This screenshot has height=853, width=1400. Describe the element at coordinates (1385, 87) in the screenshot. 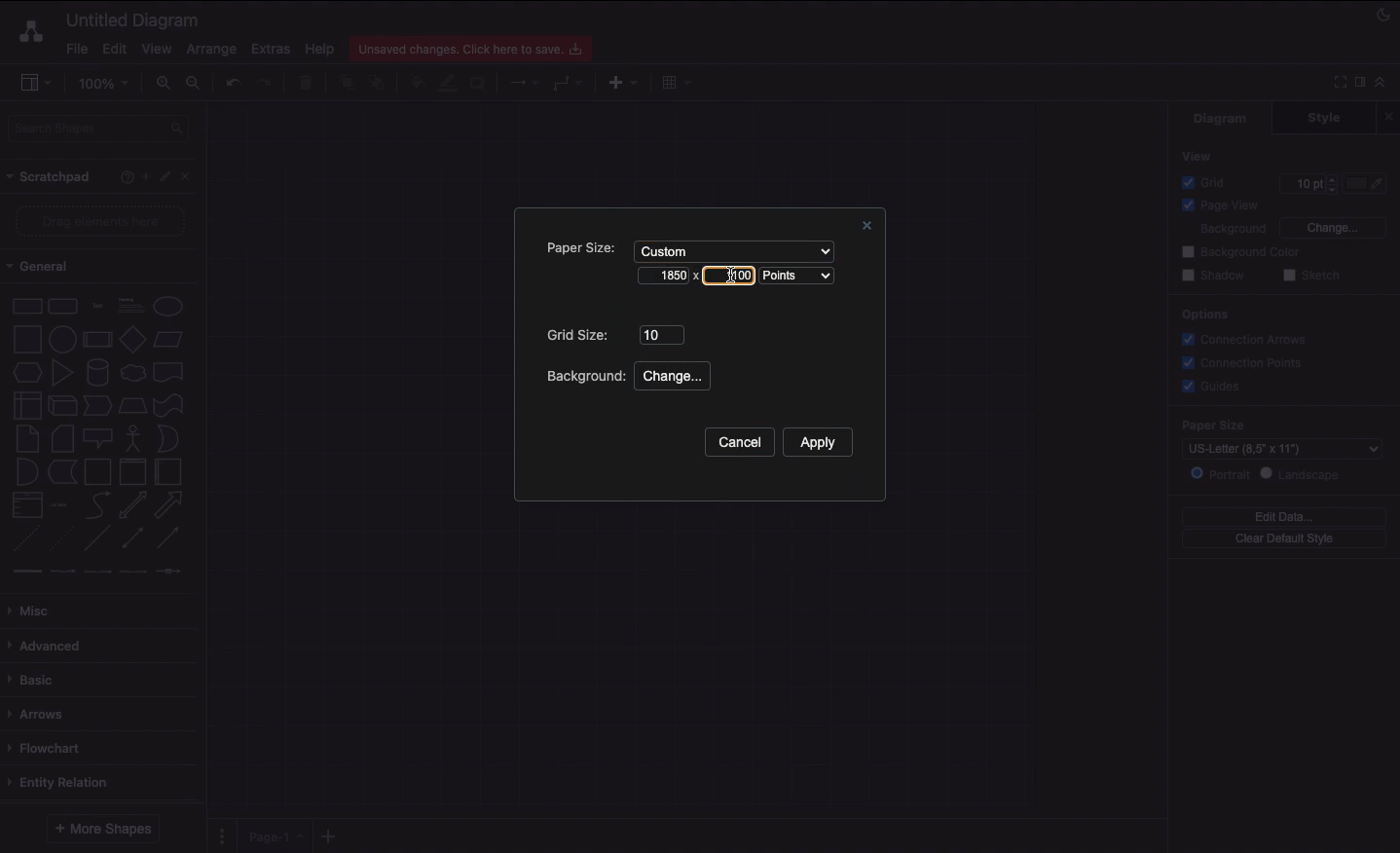

I see `Collapse expand` at that location.